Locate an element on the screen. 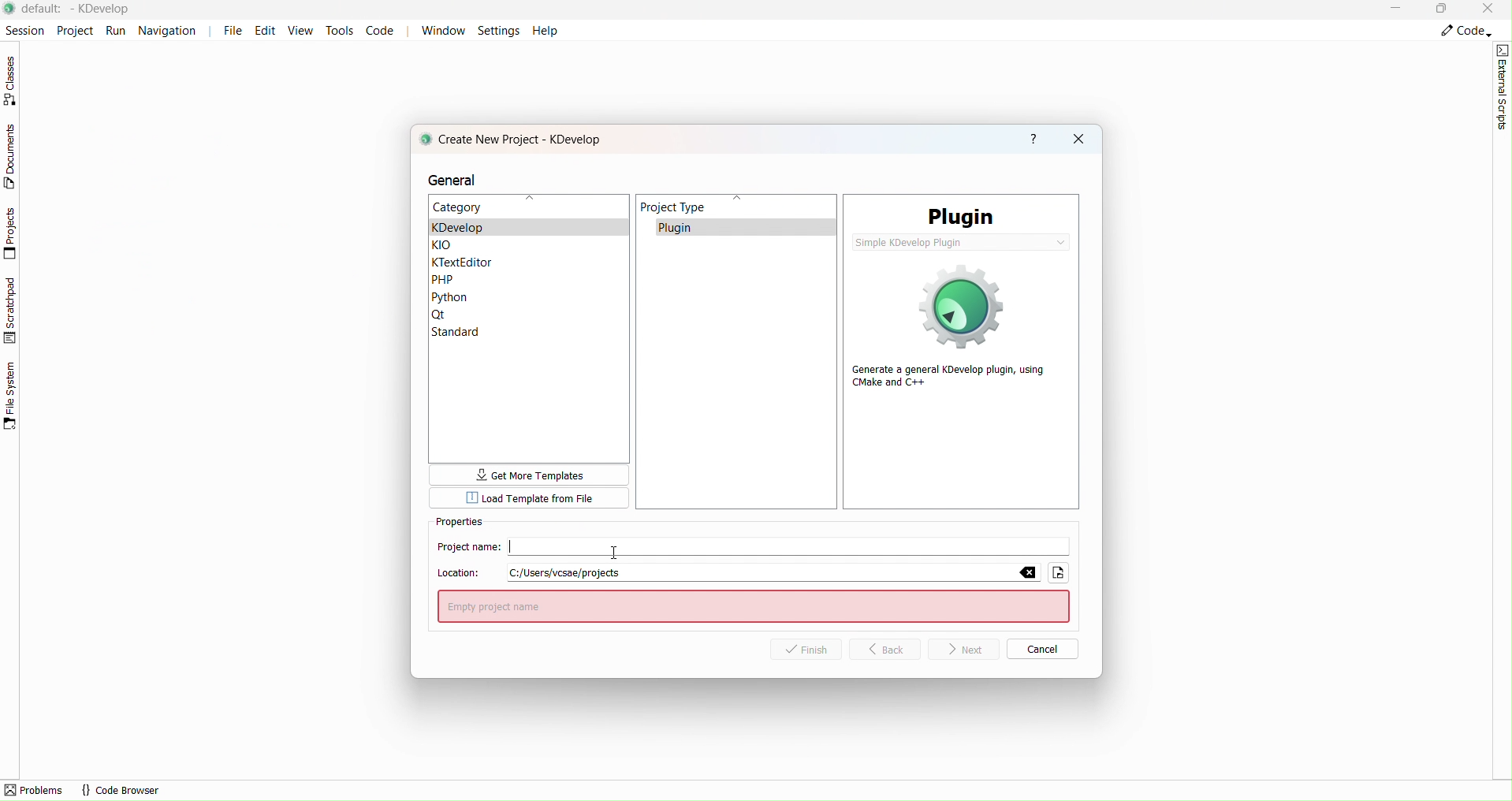 The width and height of the screenshot is (1512, 801). View is located at coordinates (304, 32).